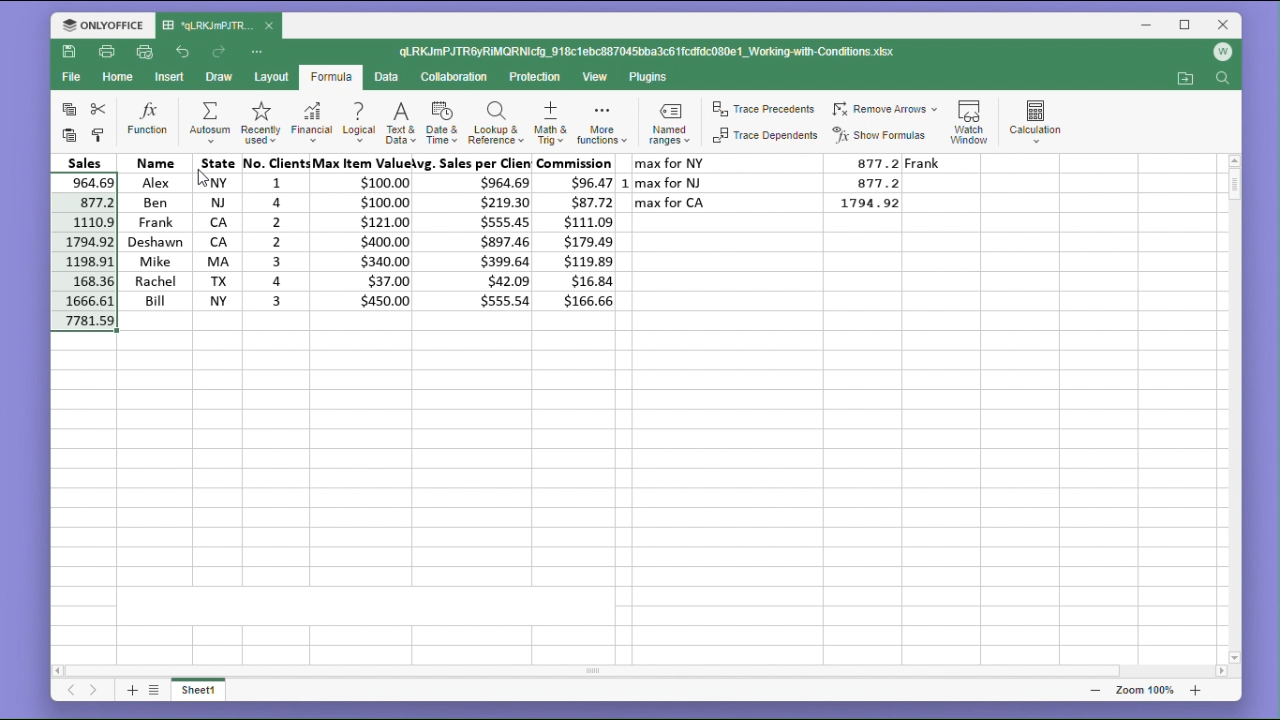  I want to click on names, so click(152, 231).